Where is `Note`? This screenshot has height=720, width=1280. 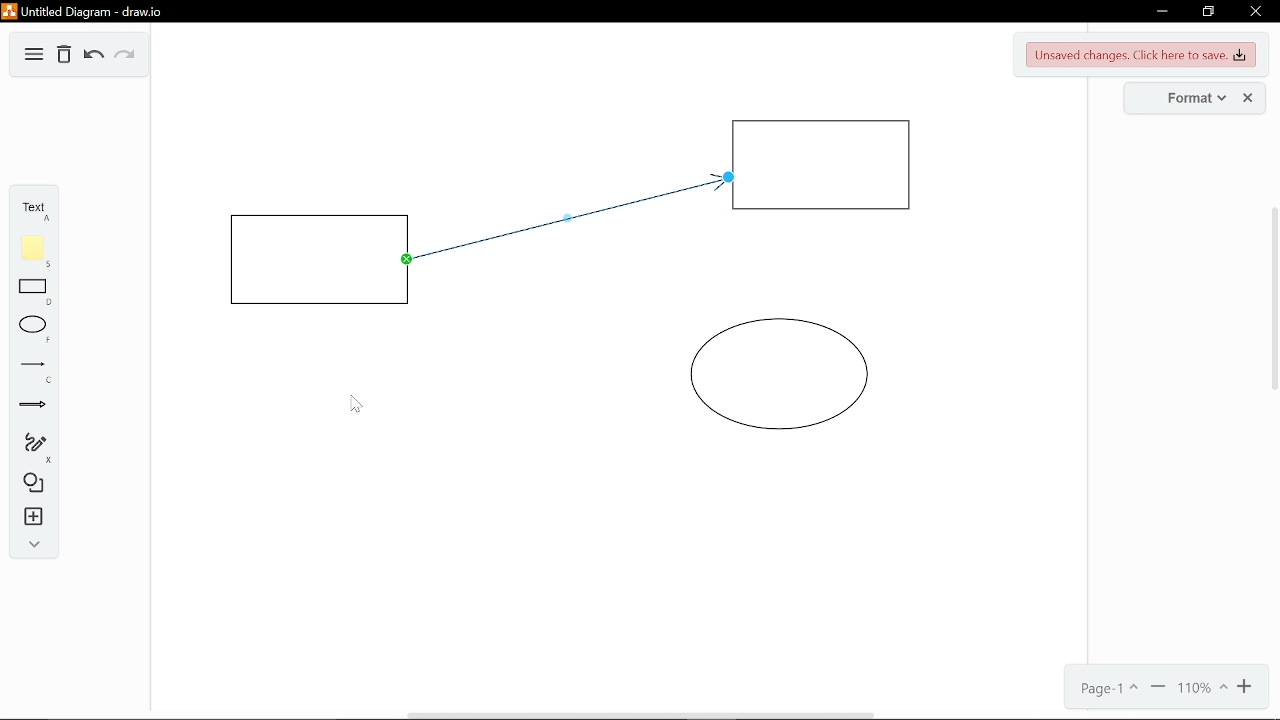 Note is located at coordinates (34, 251).